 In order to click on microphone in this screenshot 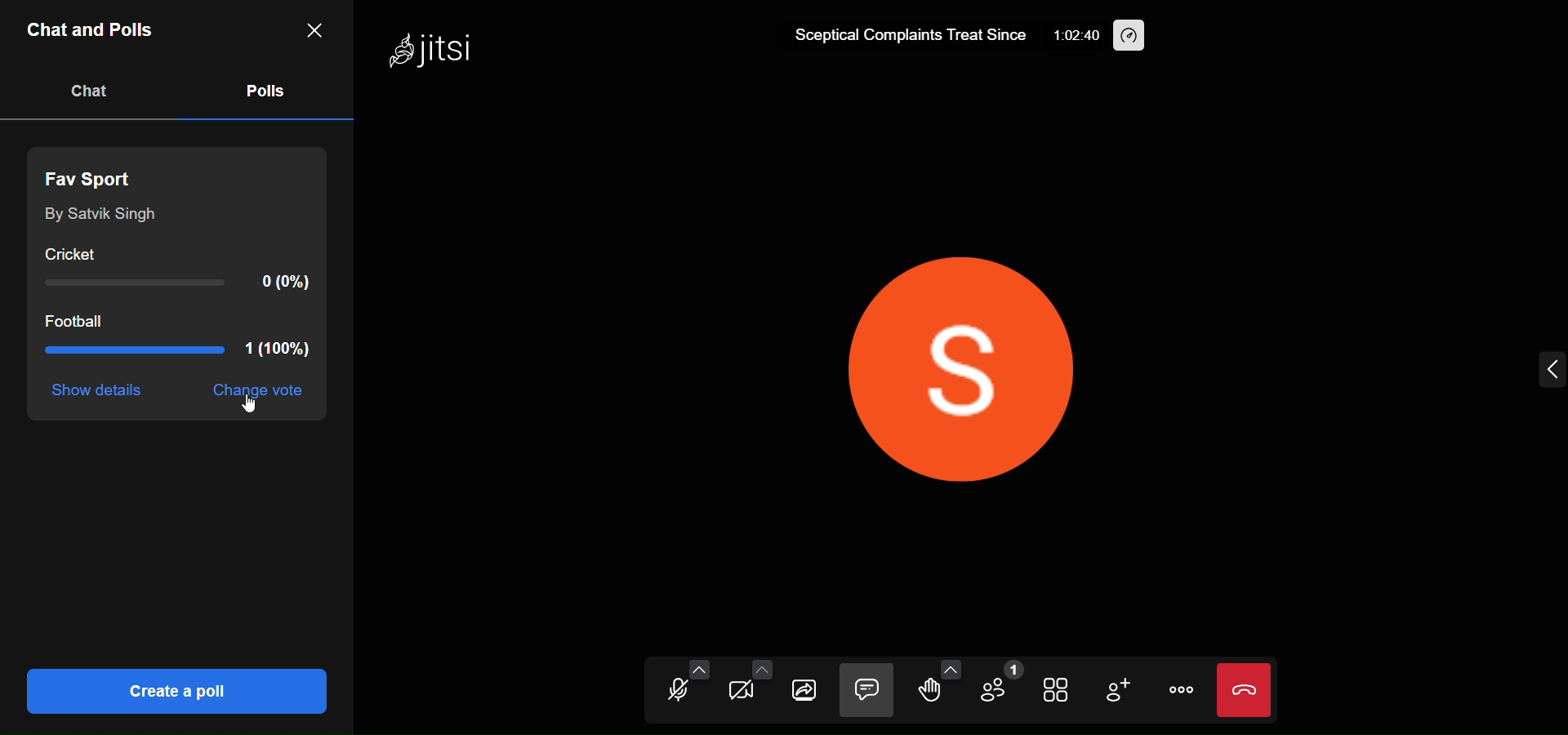, I will do `click(673, 693)`.